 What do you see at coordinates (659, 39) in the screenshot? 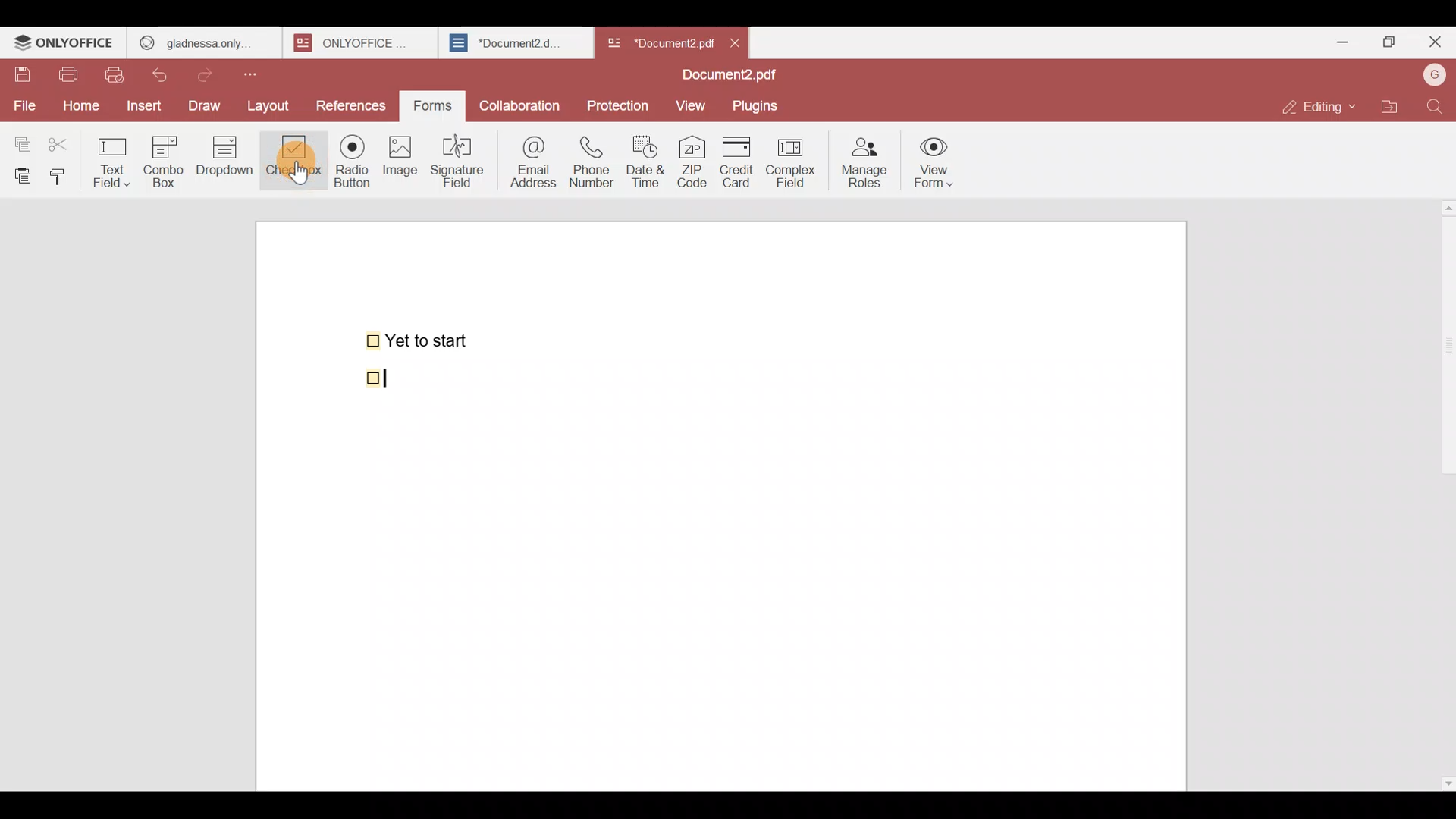
I see `Document name` at bounding box center [659, 39].